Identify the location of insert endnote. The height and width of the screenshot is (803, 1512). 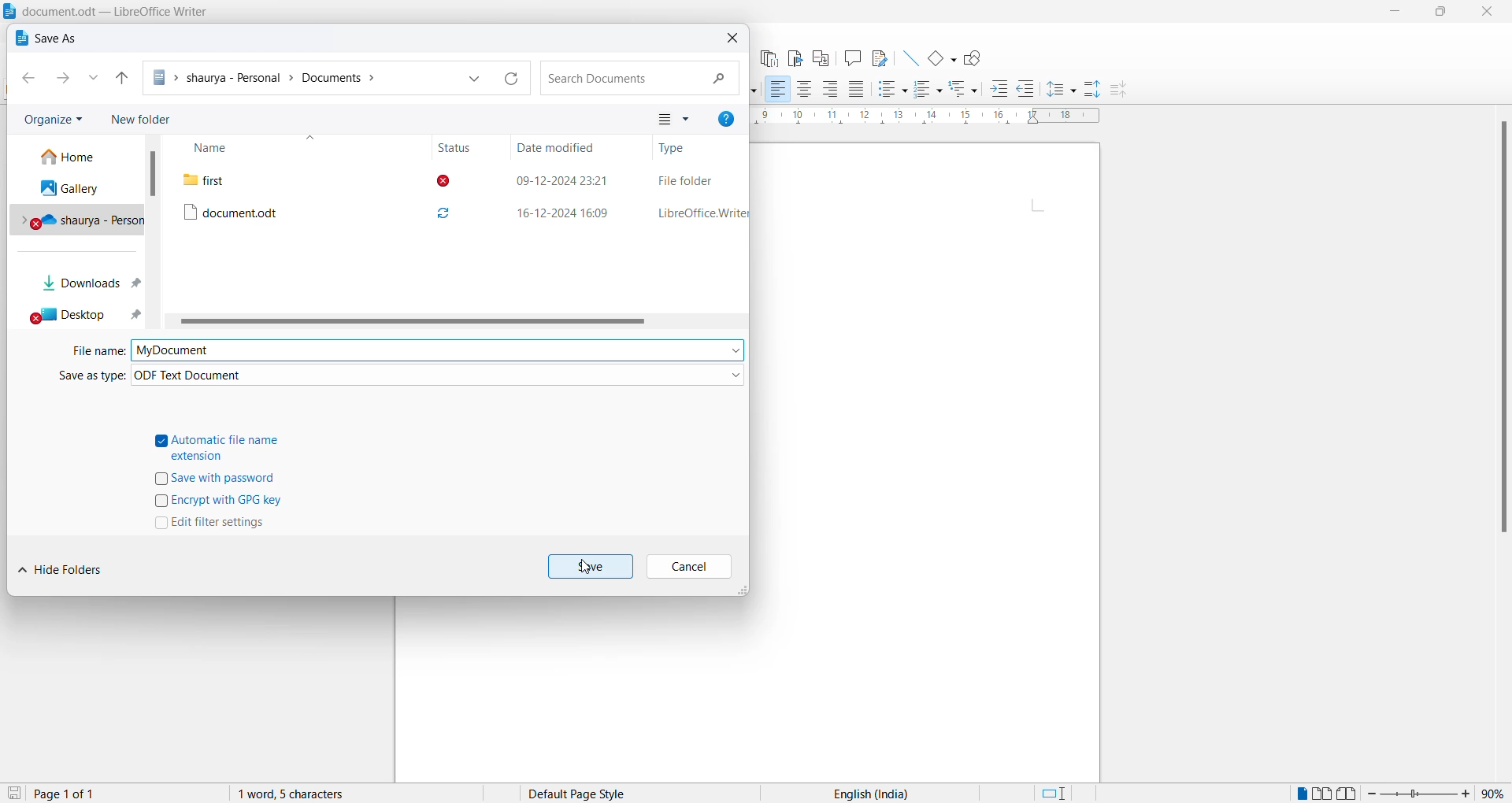
(767, 58).